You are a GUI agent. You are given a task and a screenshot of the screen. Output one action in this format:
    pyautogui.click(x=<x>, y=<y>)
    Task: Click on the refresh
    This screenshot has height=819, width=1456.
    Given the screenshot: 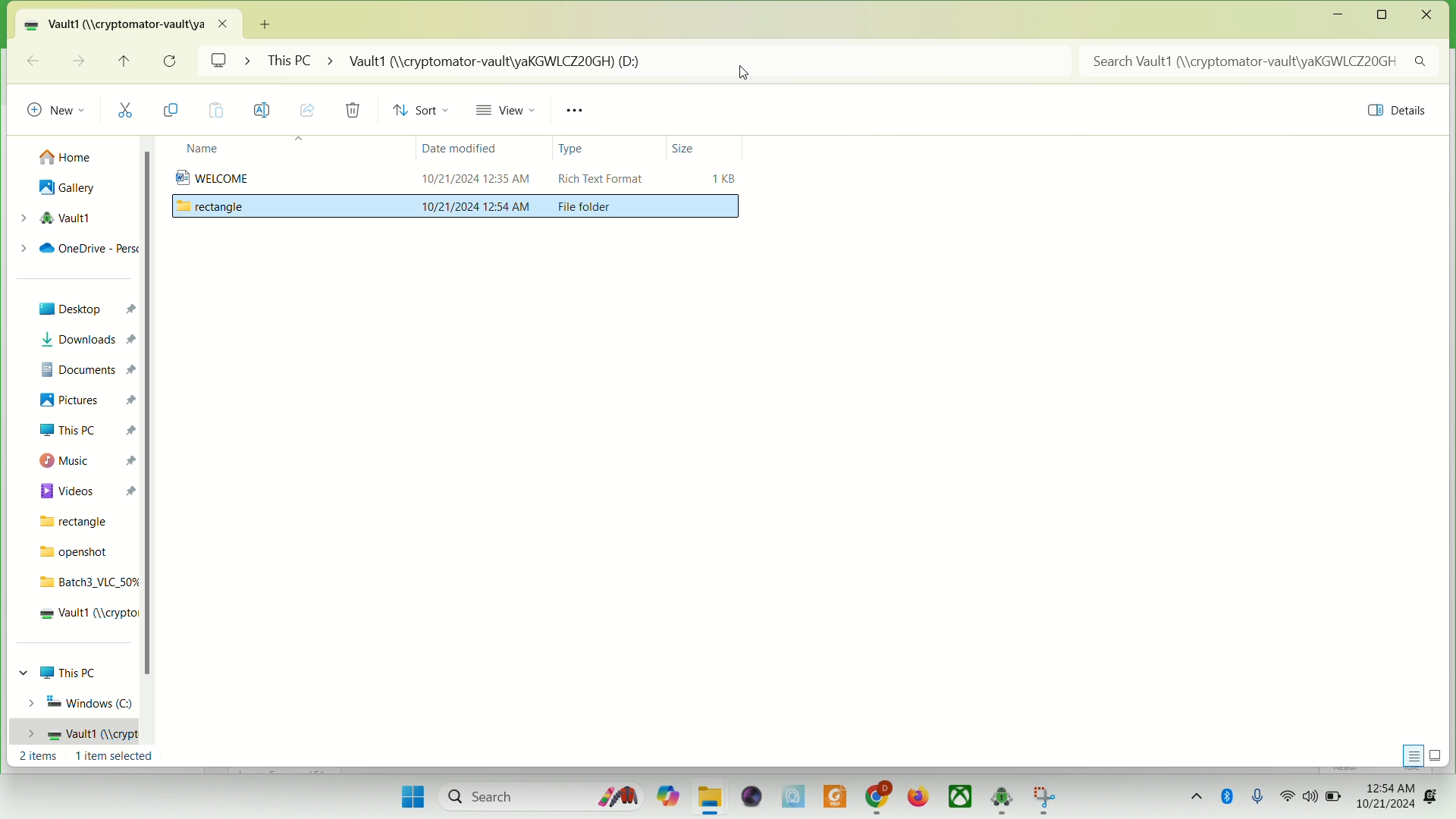 What is the action you would take?
    pyautogui.click(x=171, y=61)
    